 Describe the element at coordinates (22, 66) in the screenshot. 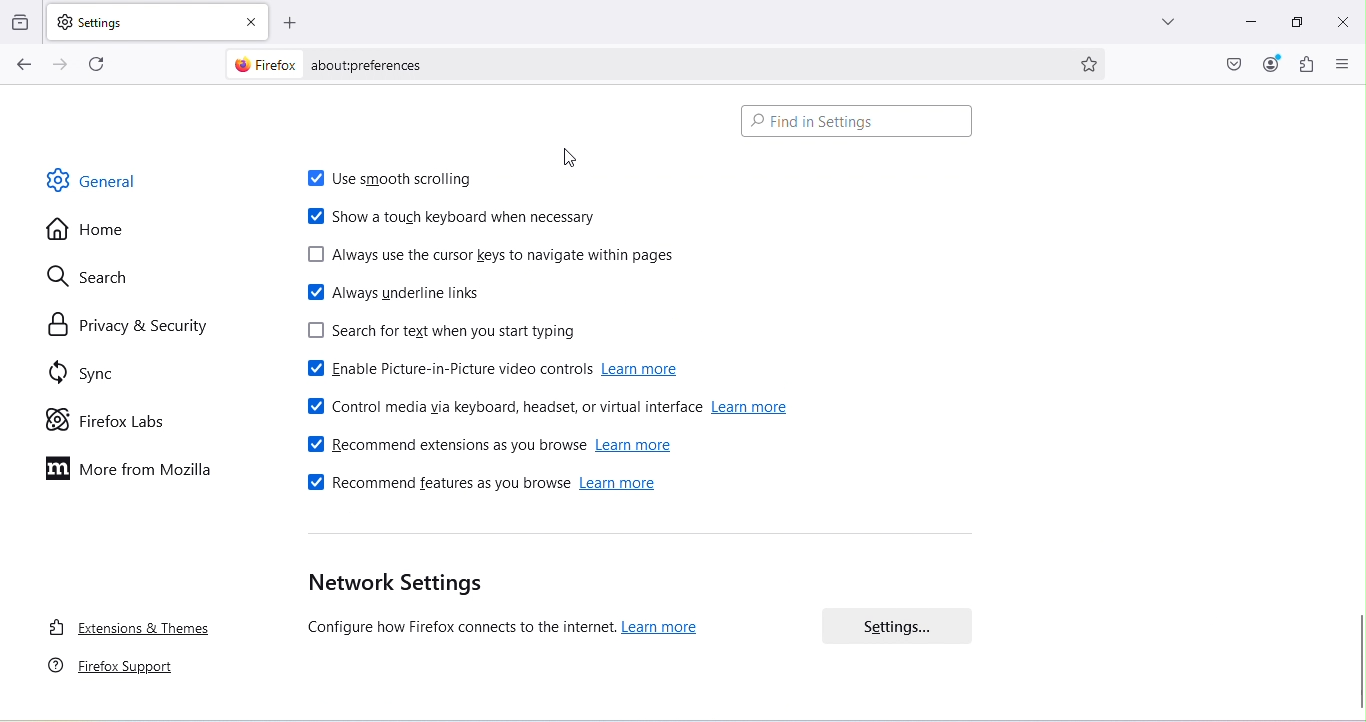

I see `Go back one page` at that location.